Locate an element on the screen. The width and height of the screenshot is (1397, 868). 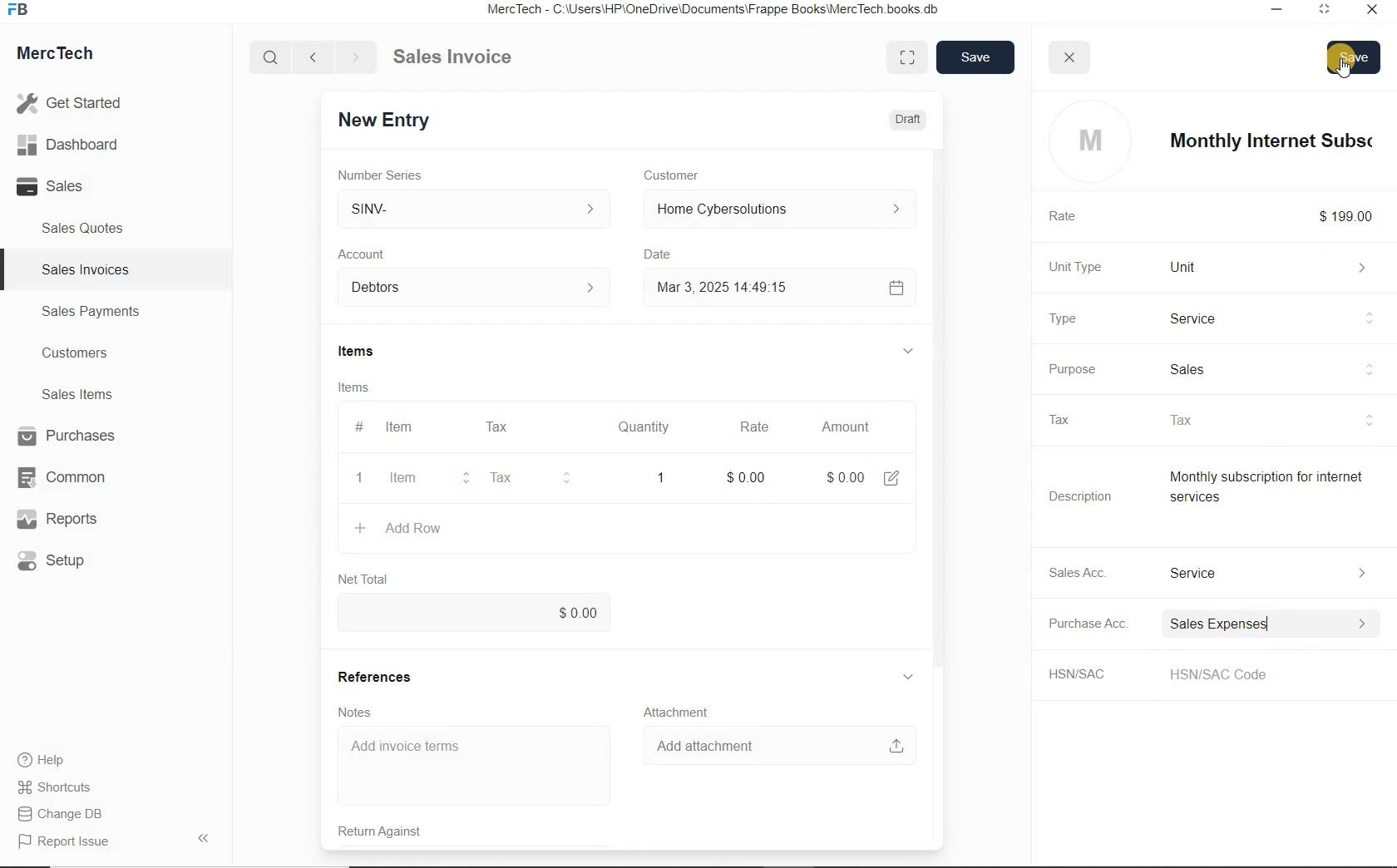
Sales Items is located at coordinates (88, 394).